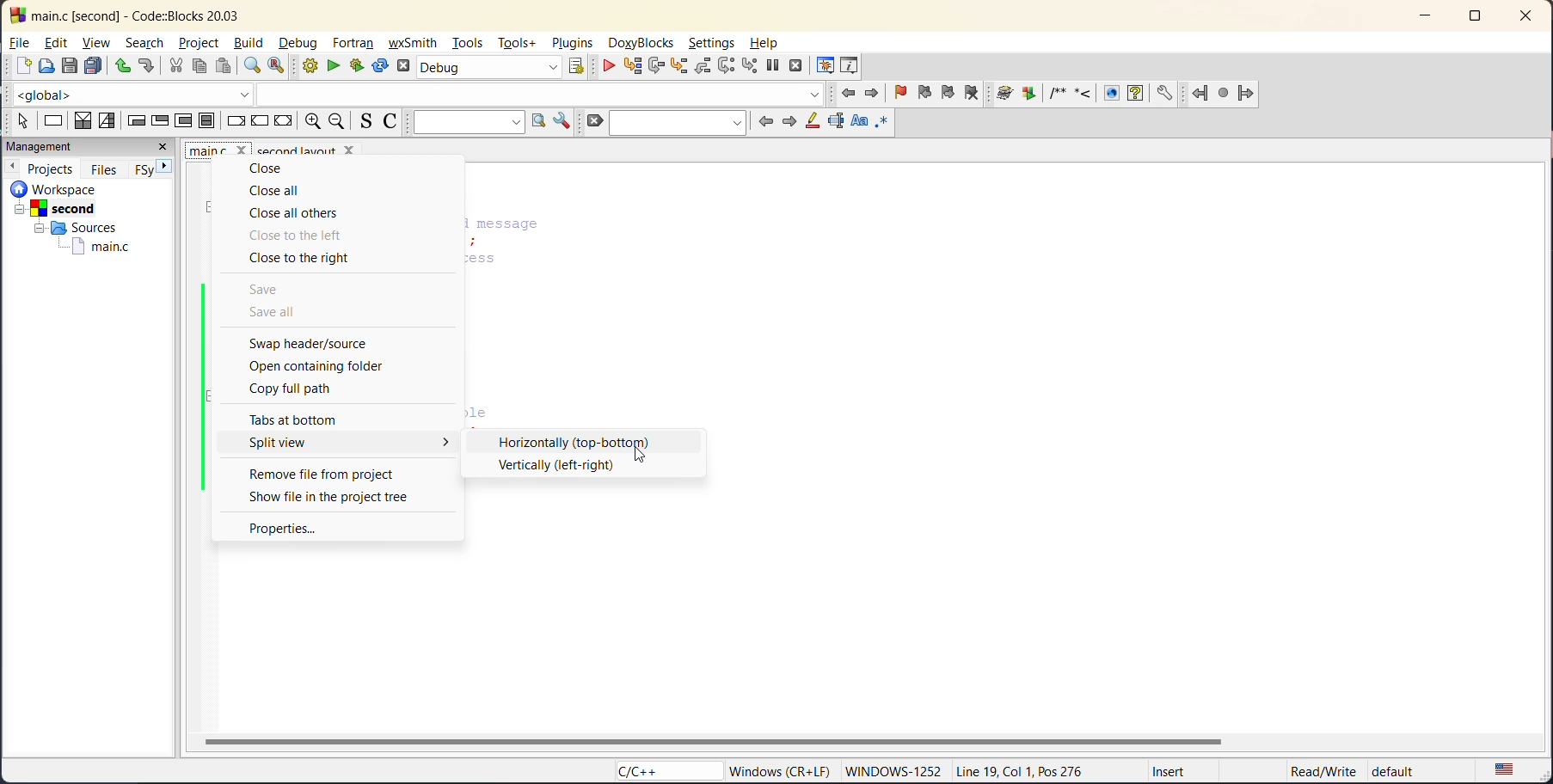 Image resolution: width=1553 pixels, height=784 pixels. Describe the element at coordinates (465, 122) in the screenshot. I see `text to search` at that location.